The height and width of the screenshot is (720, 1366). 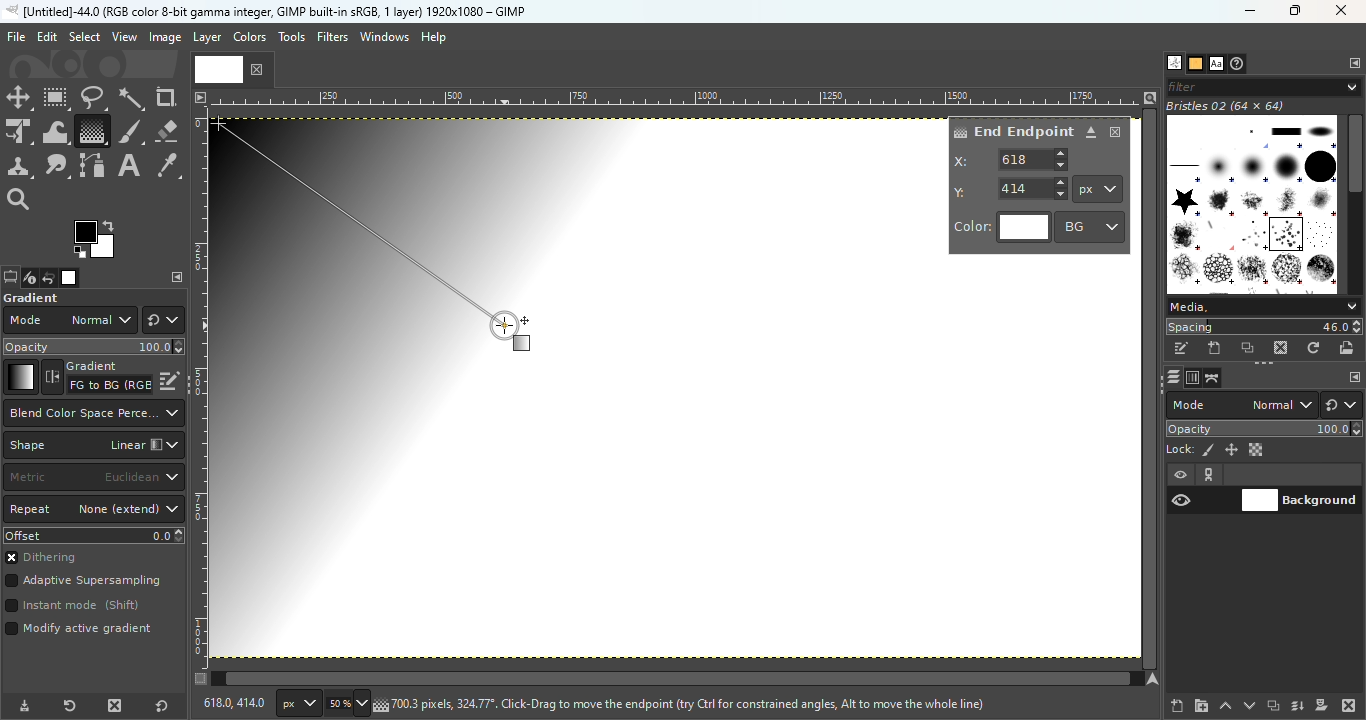 I want to click on Open brush as image, so click(x=1348, y=347).